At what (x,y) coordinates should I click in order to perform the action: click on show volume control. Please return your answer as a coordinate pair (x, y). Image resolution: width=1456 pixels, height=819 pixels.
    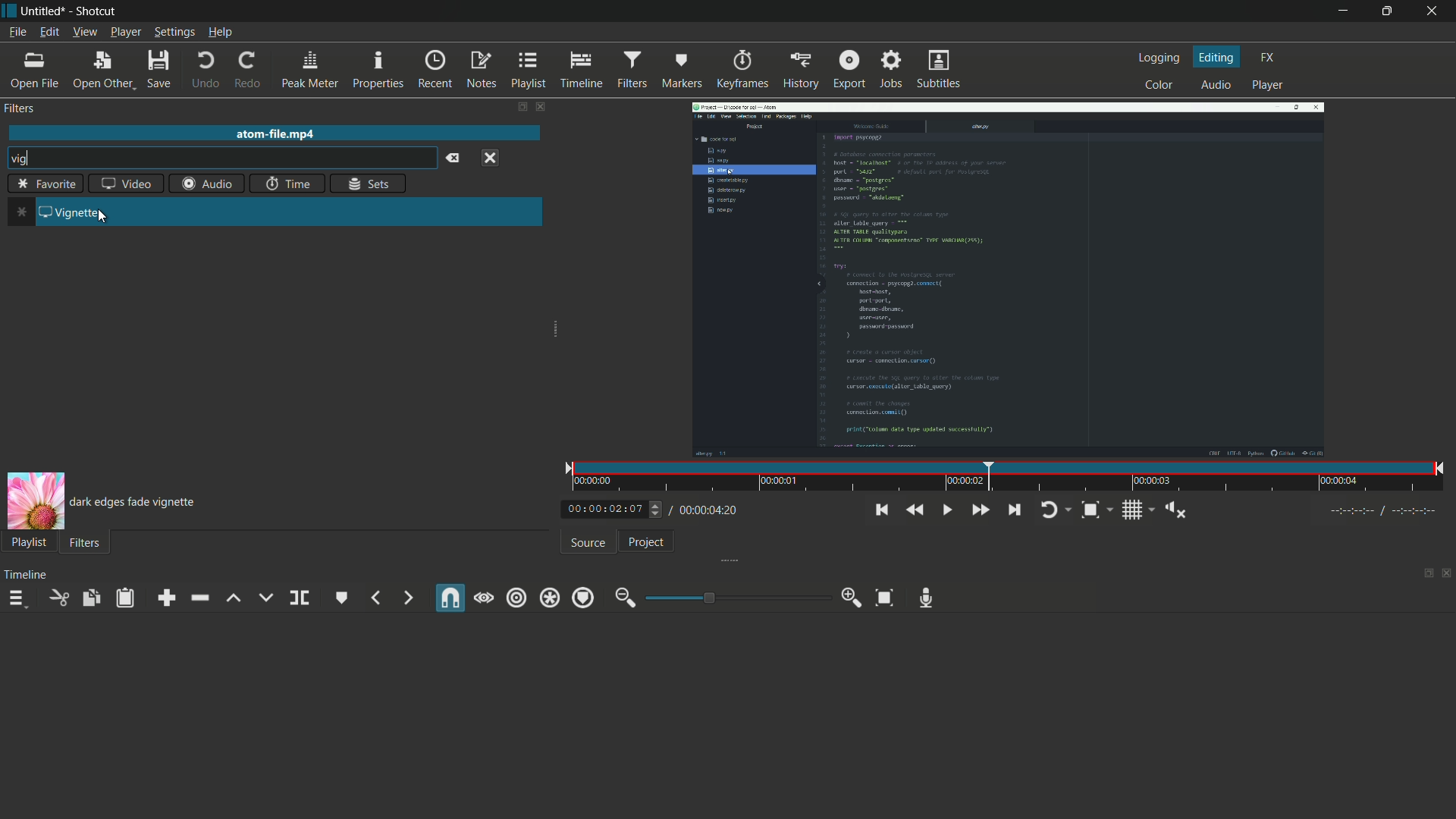
    Looking at the image, I should click on (1175, 510).